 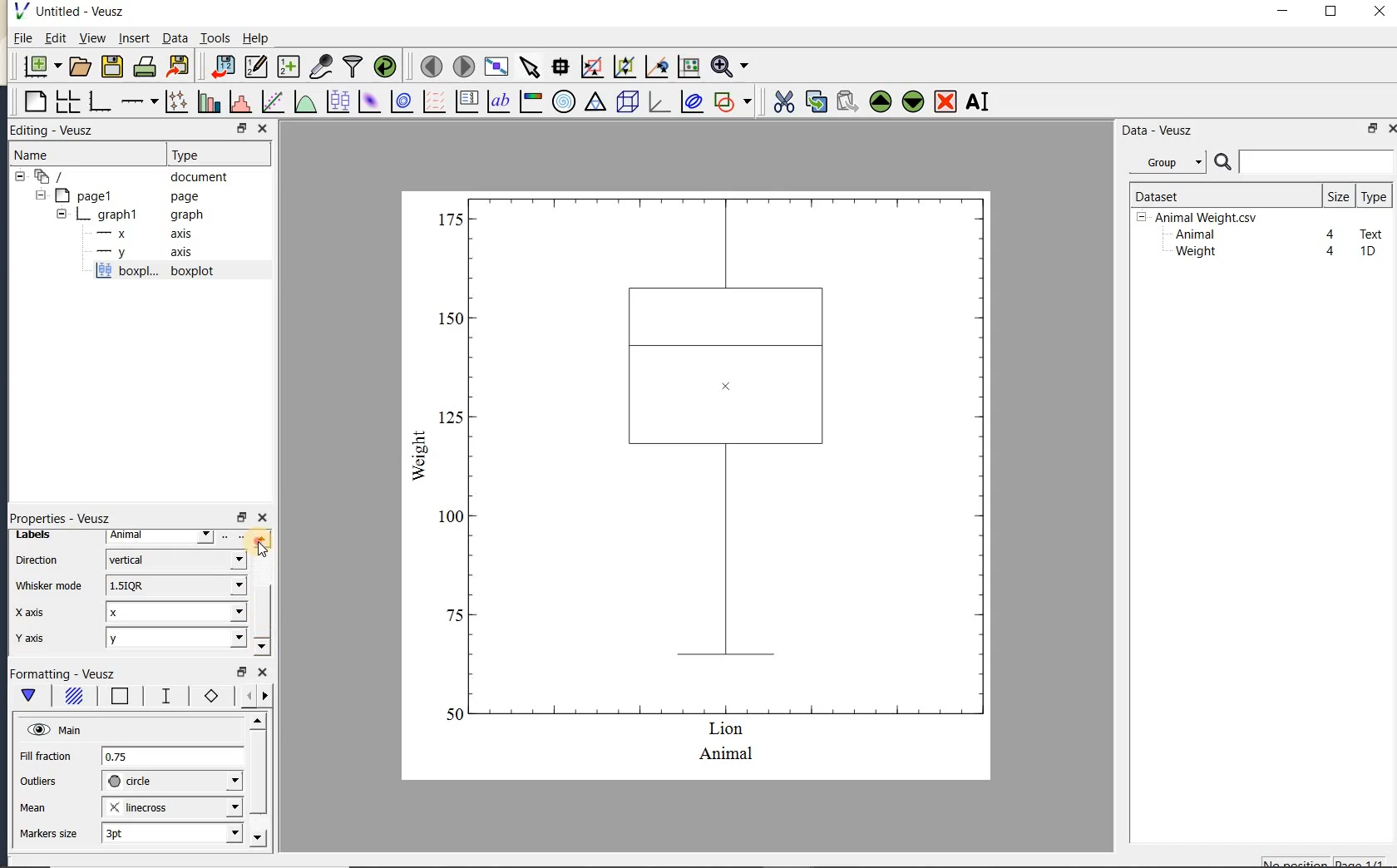 I want to click on Fill fraction, so click(x=46, y=757).